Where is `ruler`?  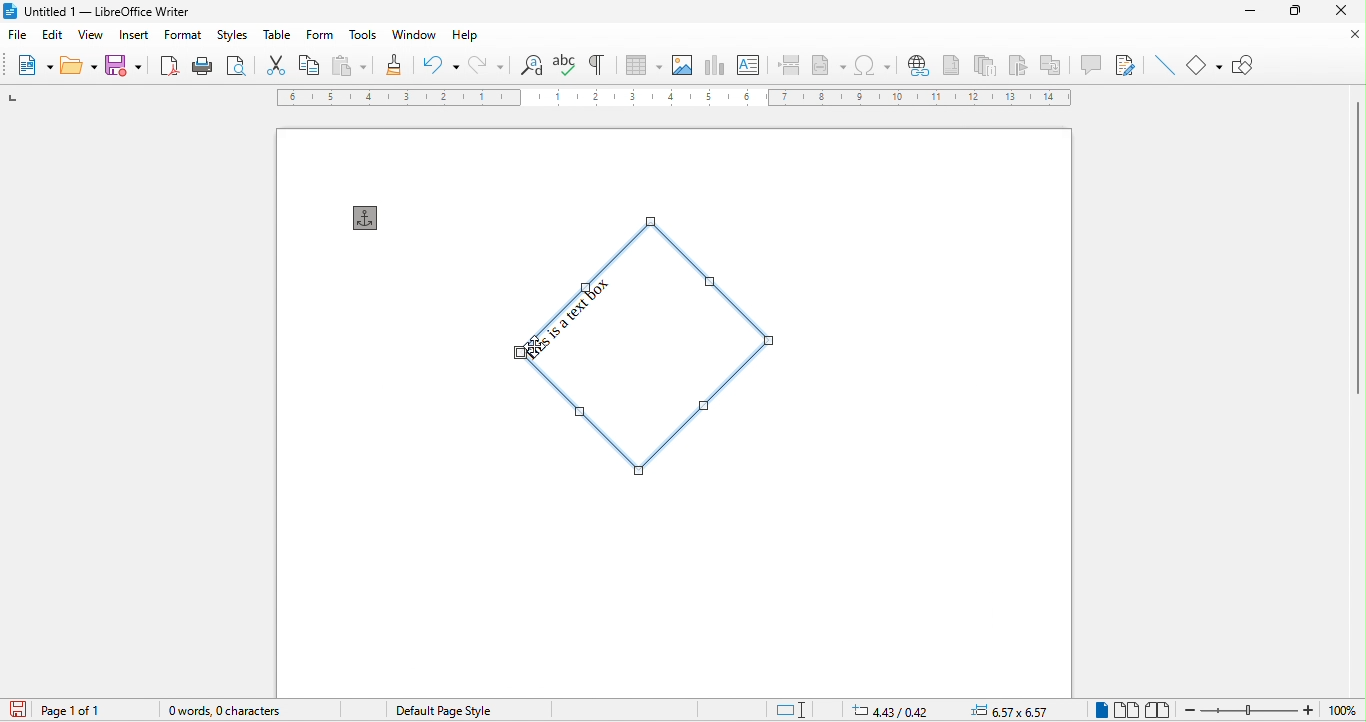
ruler is located at coordinates (675, 97).